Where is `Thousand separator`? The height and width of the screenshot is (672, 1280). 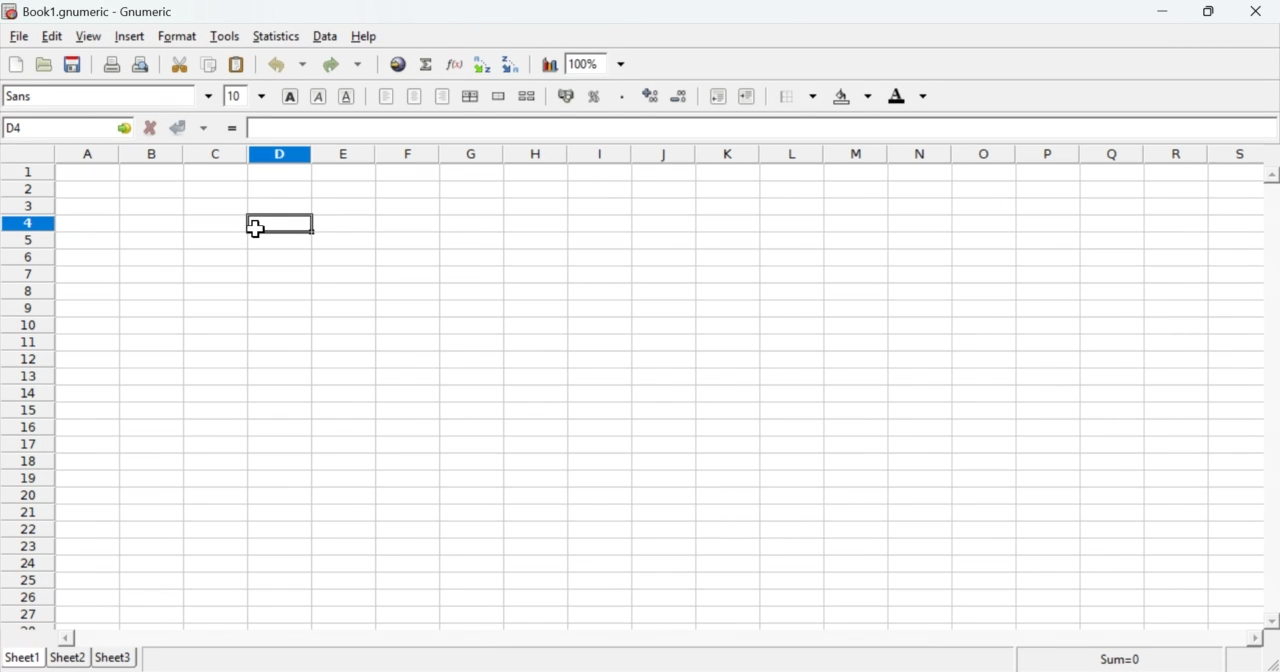
Thousand separator is located at coordinates (621, 97).